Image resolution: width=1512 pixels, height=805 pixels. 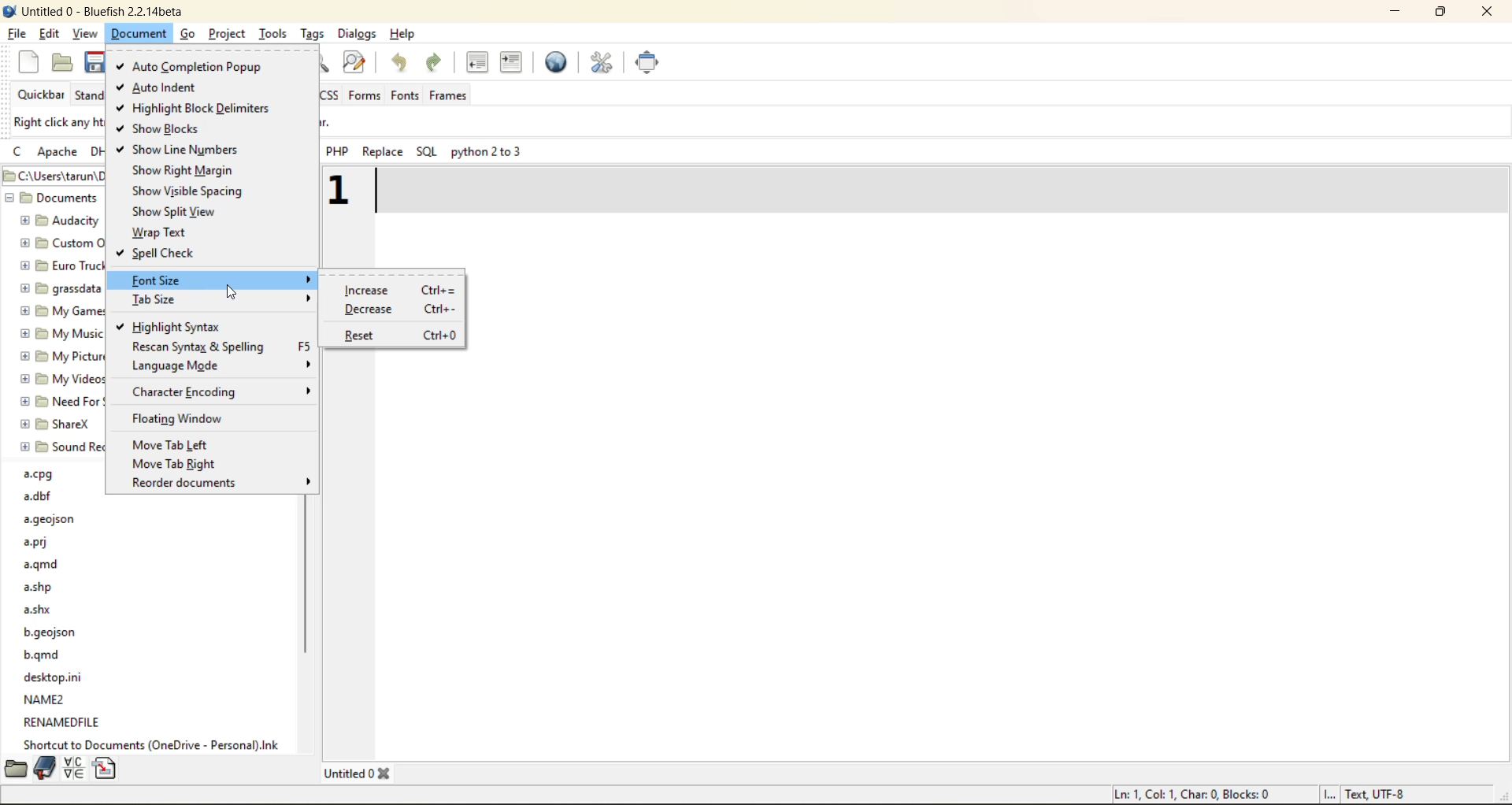 I want to click on 1 - increased font size, so click(x=346, y=190).